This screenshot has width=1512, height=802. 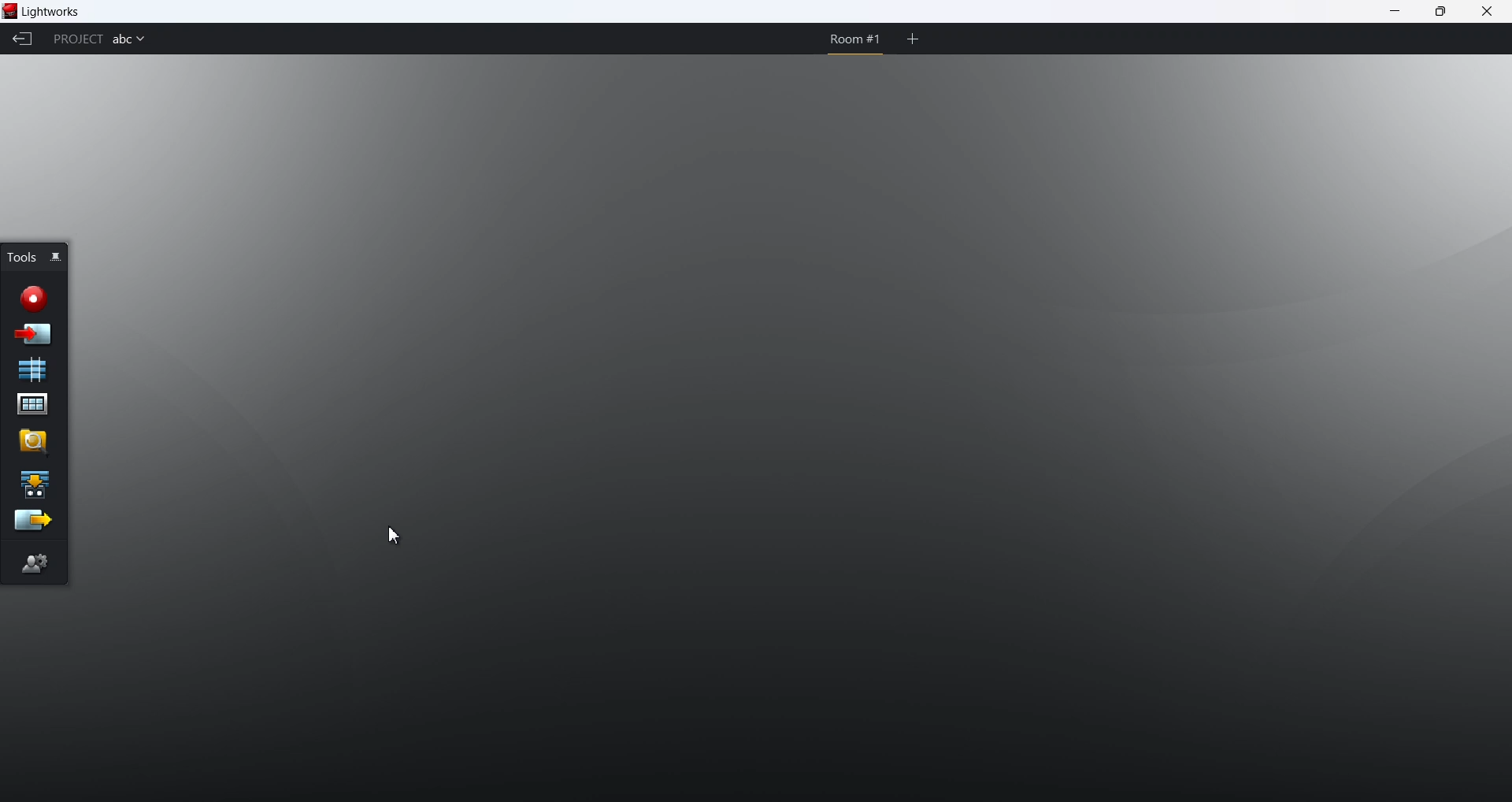 I want to click on project, so click(x=76, y=39).